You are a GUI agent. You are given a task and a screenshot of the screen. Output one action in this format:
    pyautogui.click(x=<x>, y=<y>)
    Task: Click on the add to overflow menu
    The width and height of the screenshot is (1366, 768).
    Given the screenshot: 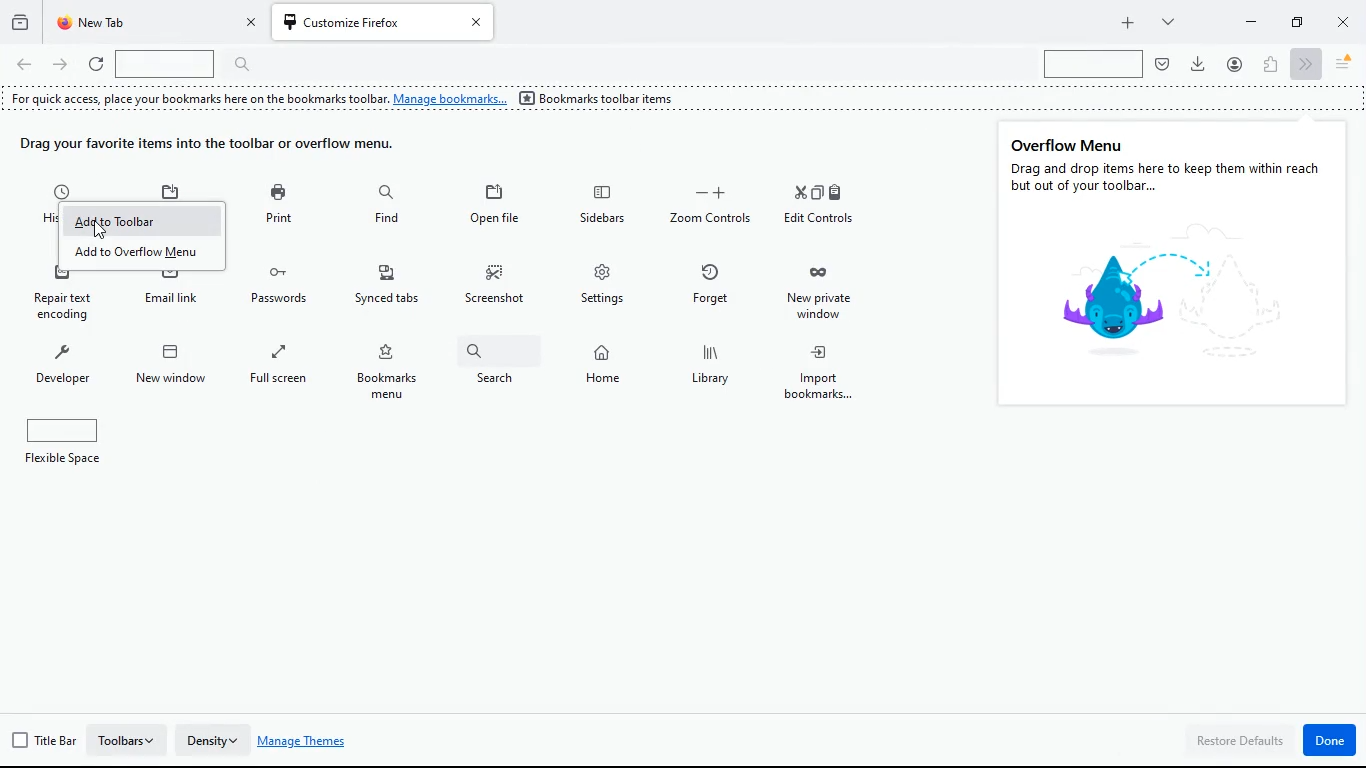 What is the action you would take?
    pyautogui.click(x=146, y=255)
    